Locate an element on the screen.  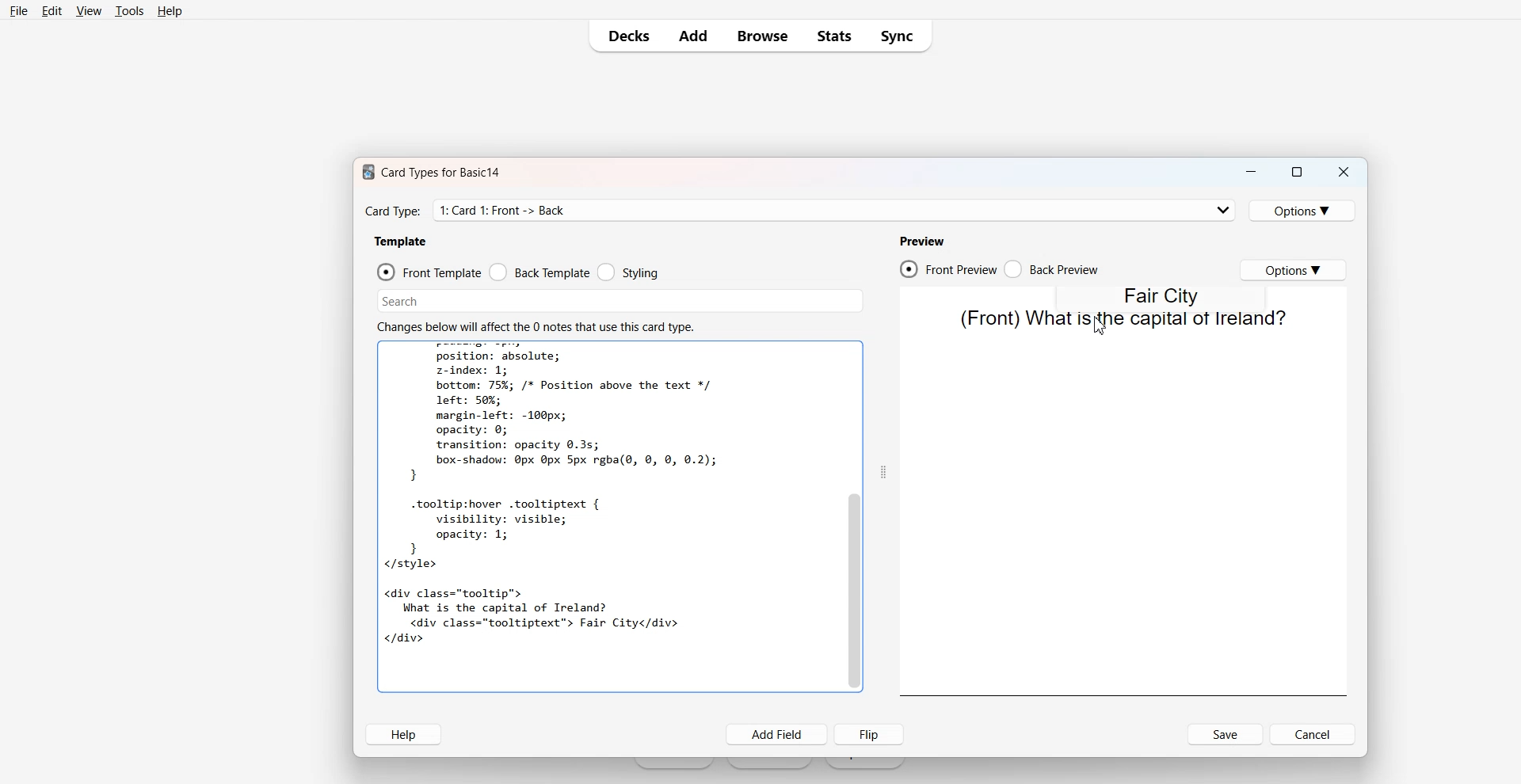
Help is located at coordinates (404, 734).